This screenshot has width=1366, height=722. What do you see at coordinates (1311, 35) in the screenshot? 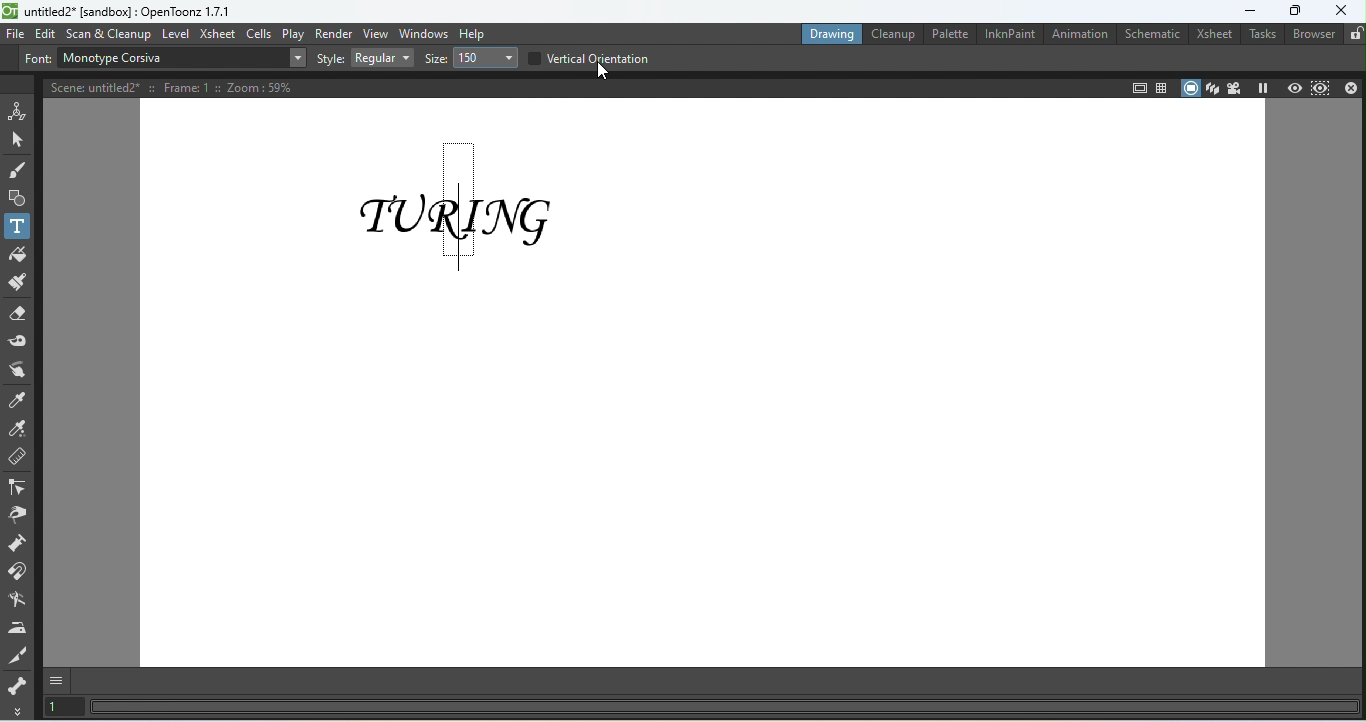
I see `Browser` at bounding box center [1311, 35].